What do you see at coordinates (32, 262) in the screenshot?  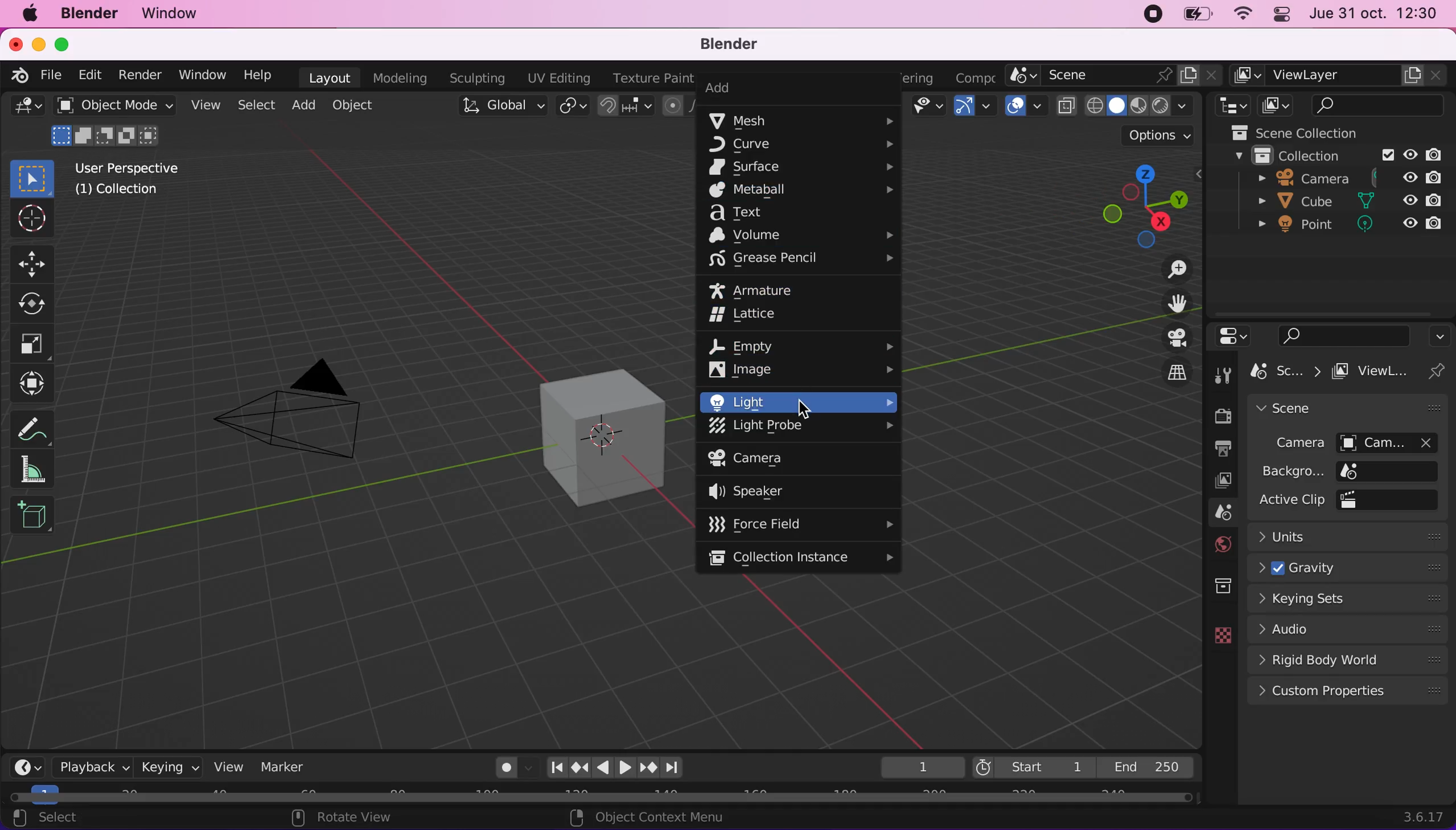 I see `move` at bounding box center [32, 262].